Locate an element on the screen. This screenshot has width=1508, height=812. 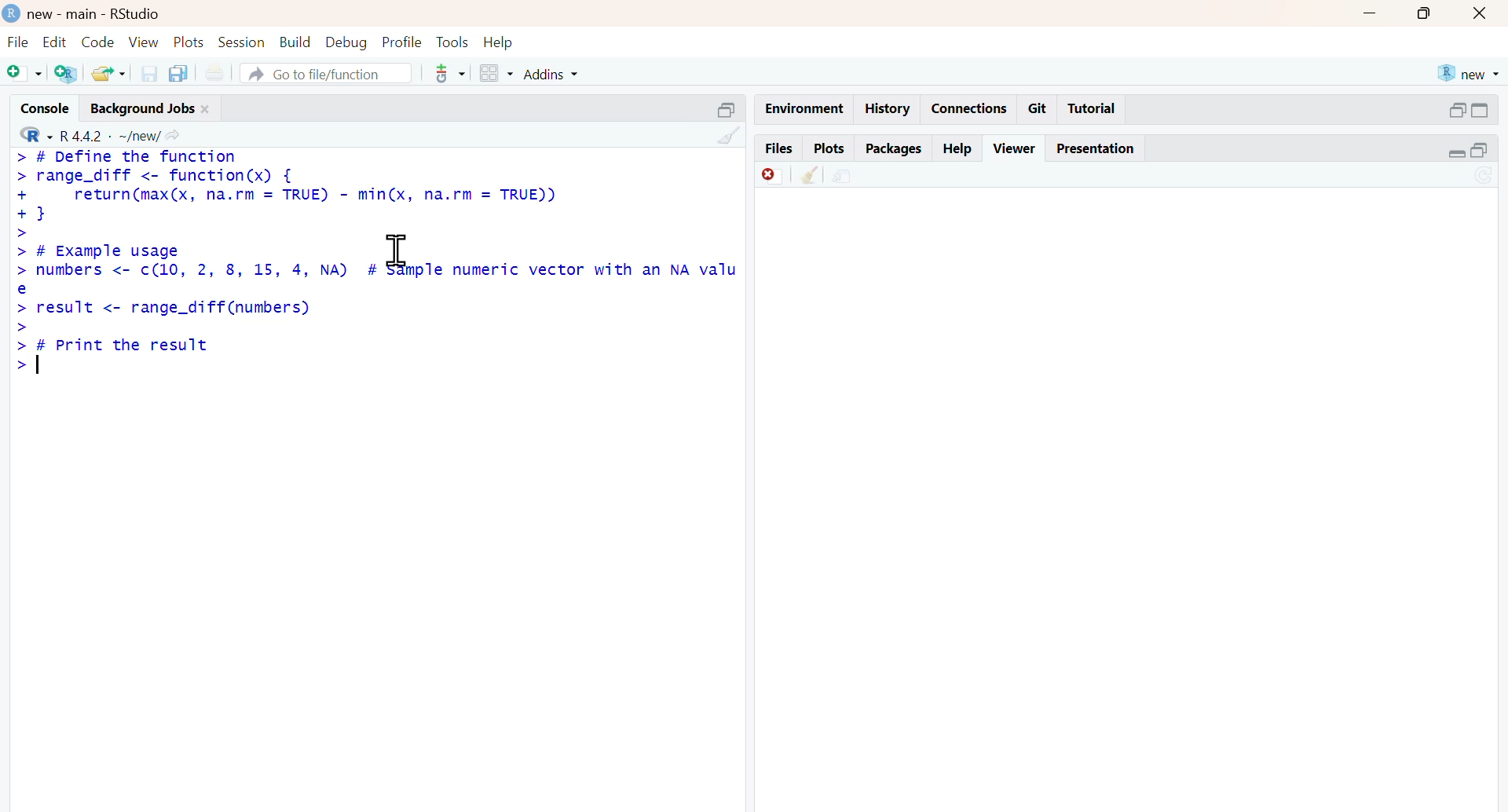
> # Define the function

> range_diff <- function(x) {

+ return(max(x, na.rm = TRUE) - min(x, na.rm = TRUE))
+ } is located at coordinates (286, 188).